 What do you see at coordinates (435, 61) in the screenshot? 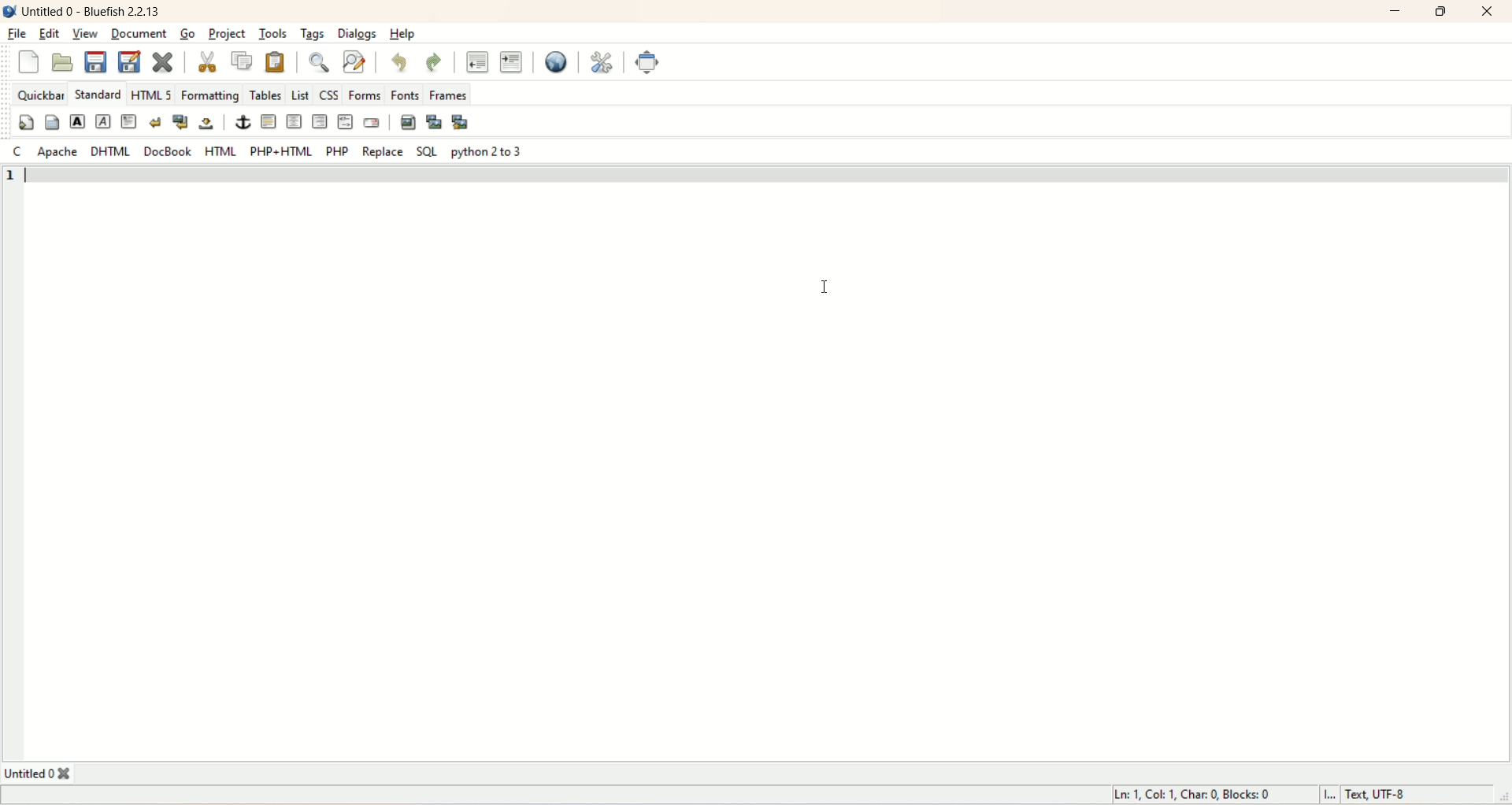
I see `redo` at bounding box center [435, 61].